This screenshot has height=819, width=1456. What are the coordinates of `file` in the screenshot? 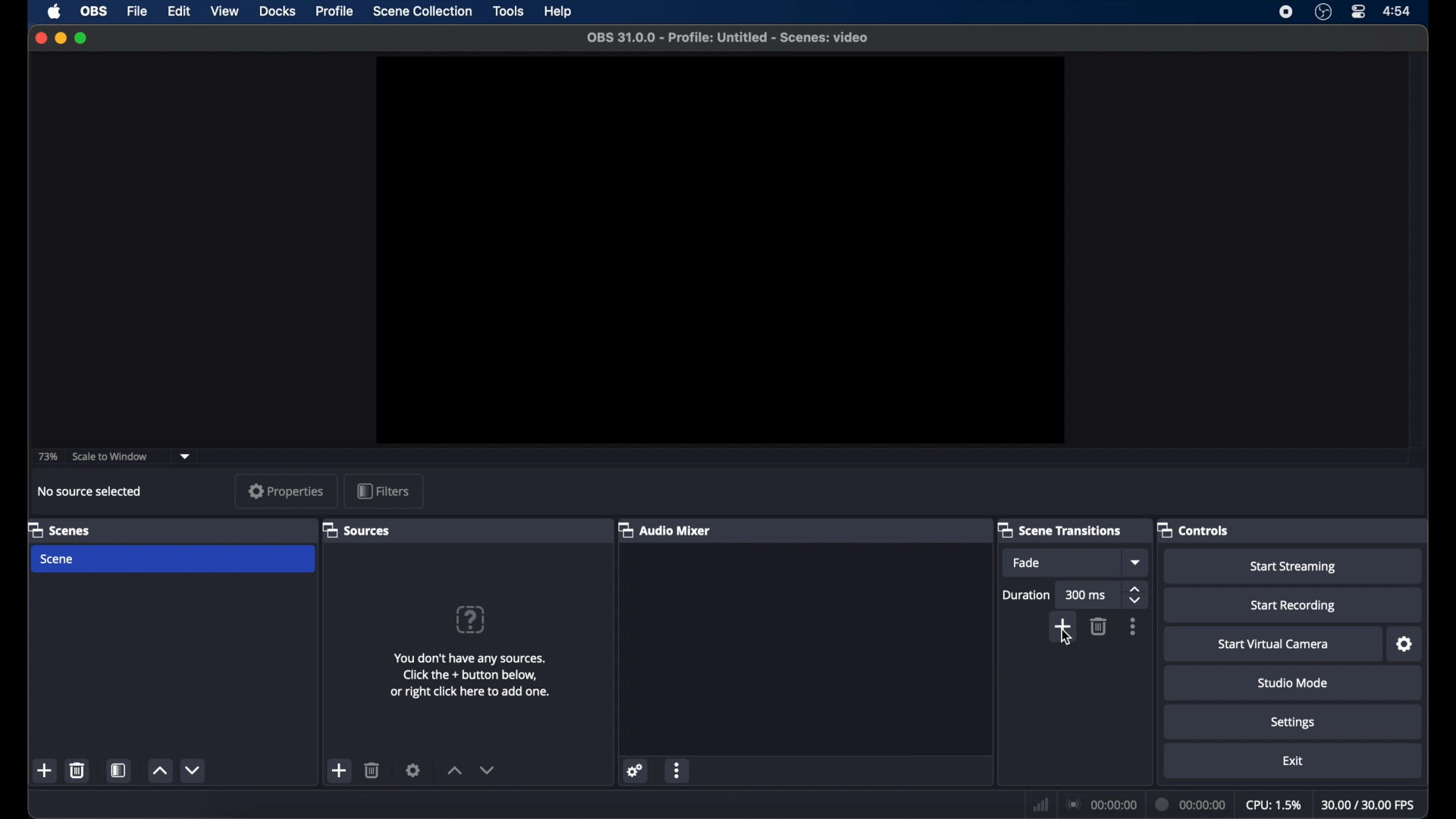 It's located at (140, 11).